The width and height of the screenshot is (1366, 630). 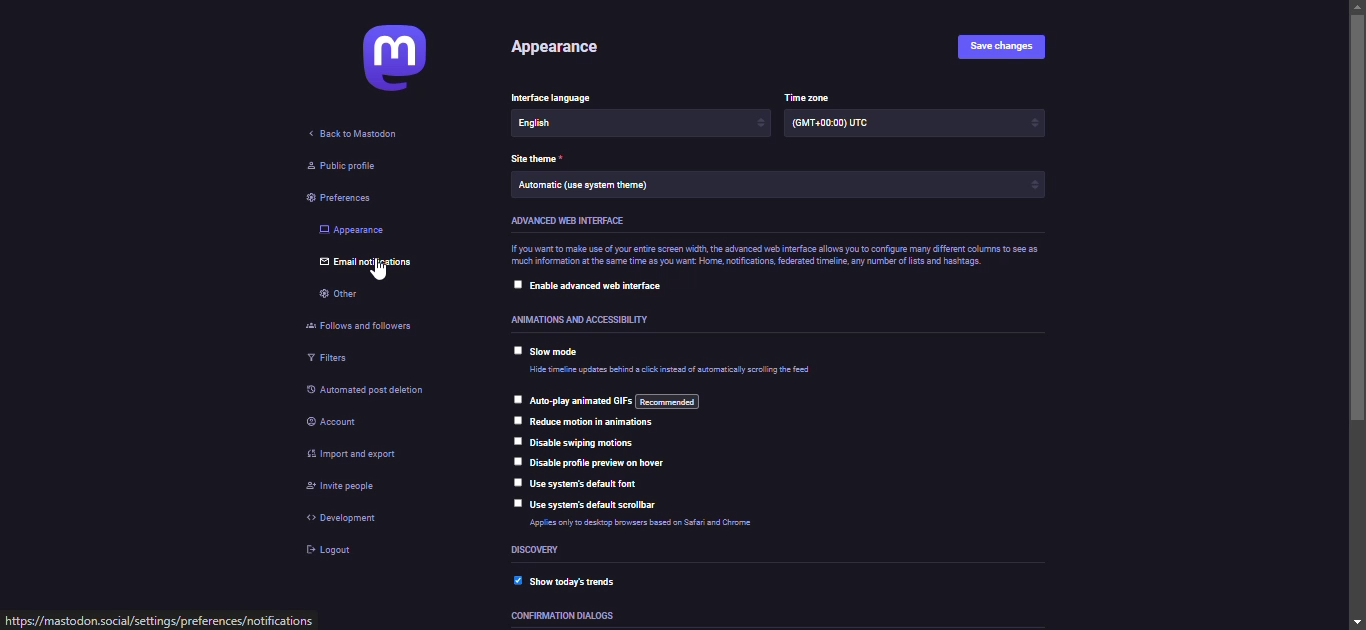 What do you see at coordinates (345, 518) in the screenshot?
I see `development` at bounding box center [345, 518].